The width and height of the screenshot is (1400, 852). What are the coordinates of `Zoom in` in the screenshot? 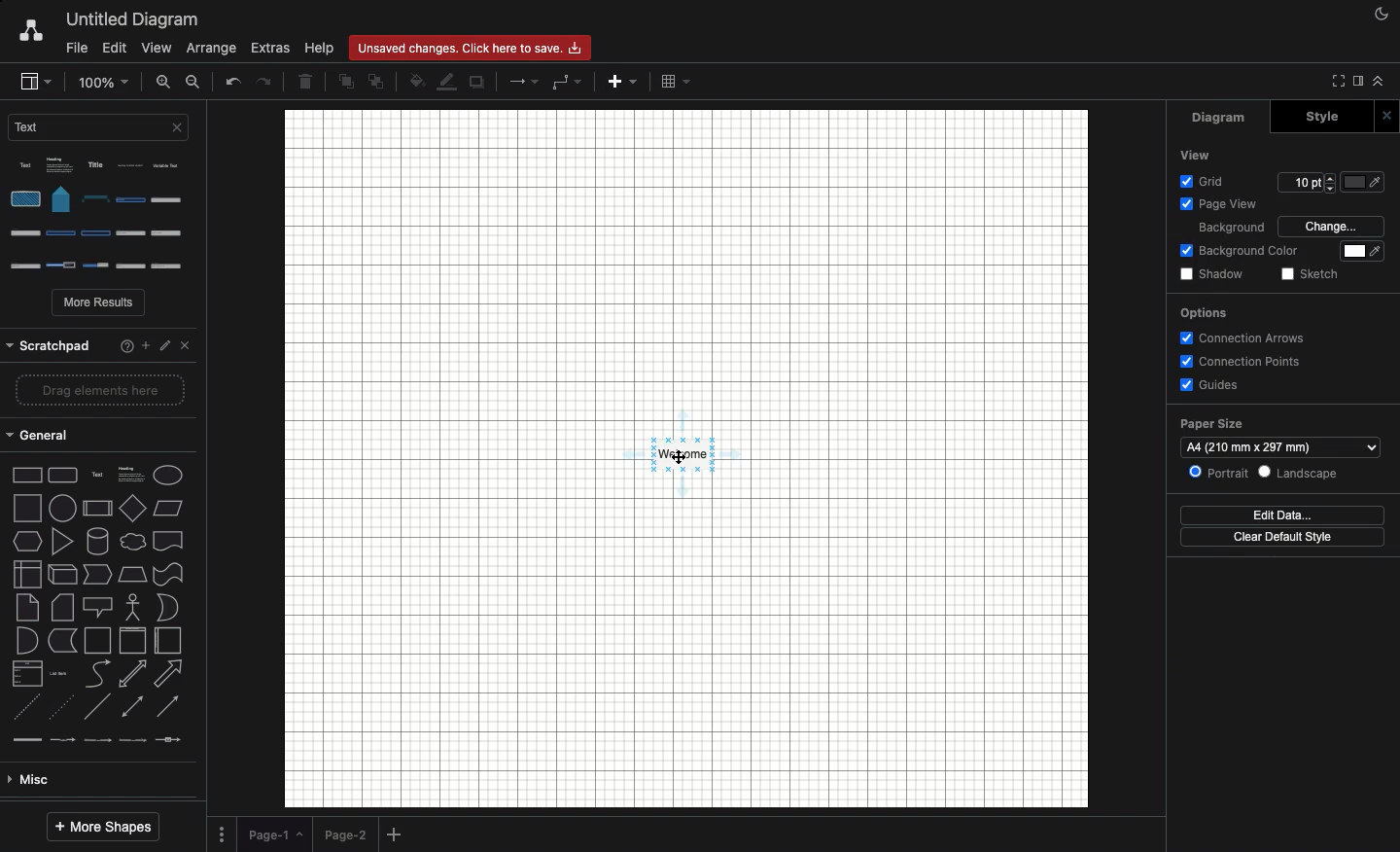 It's located at (164, 81).